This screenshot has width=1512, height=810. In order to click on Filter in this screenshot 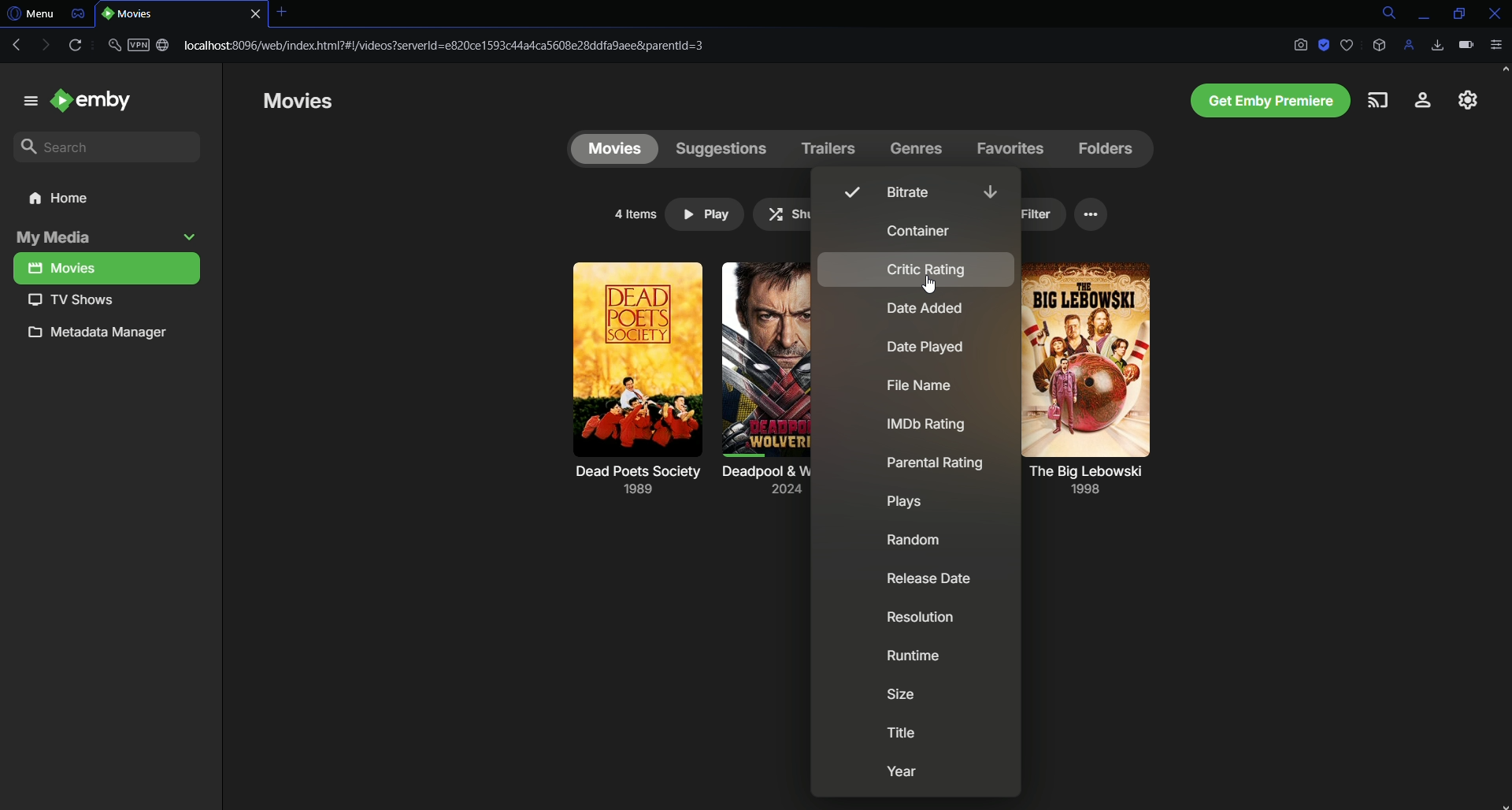, I will do `click(1030, 217)`.